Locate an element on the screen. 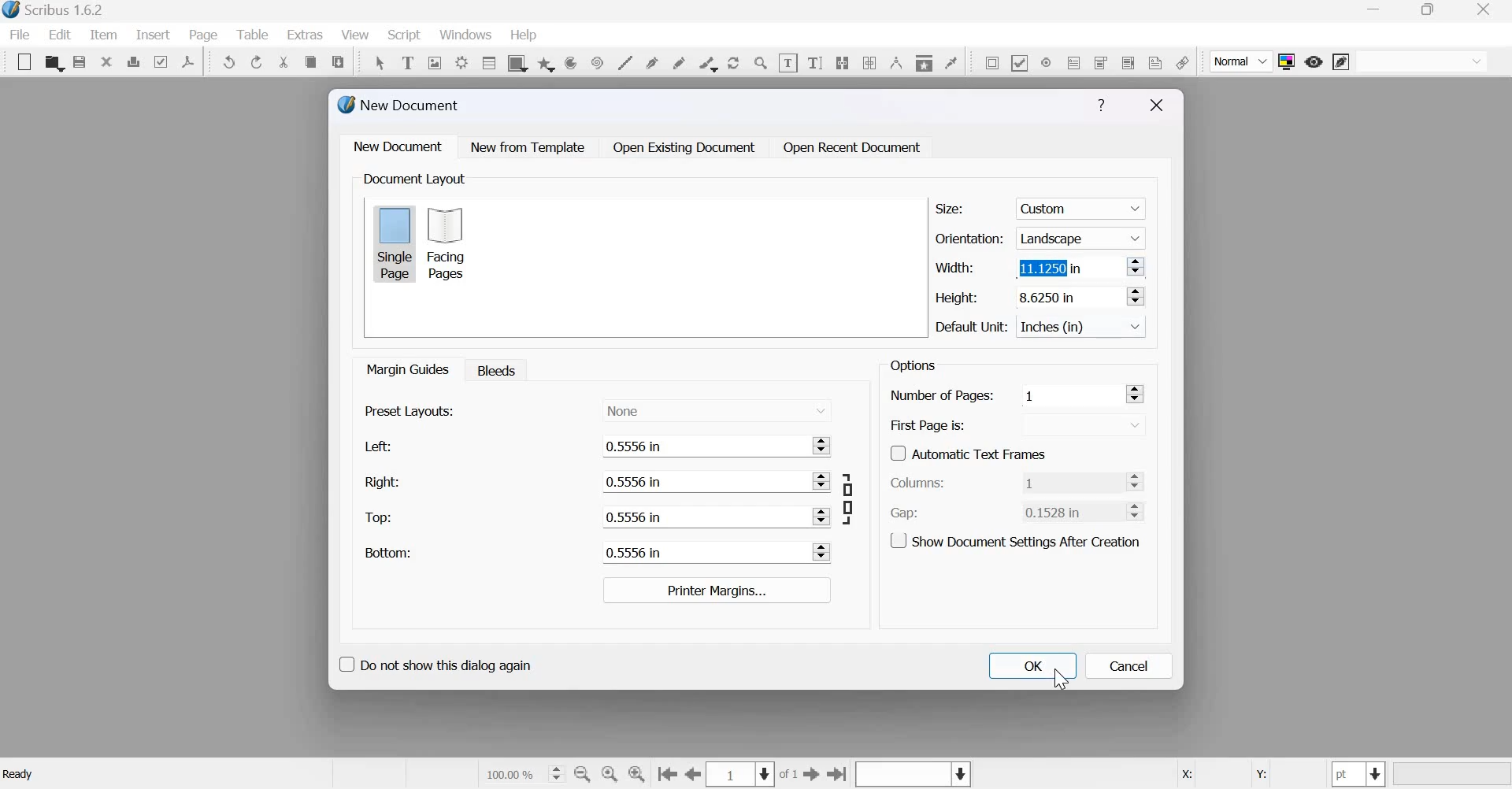 Image resolution: width=1512 pixels, height=789 pixels. minimize is located at coordinates (1376, 11).